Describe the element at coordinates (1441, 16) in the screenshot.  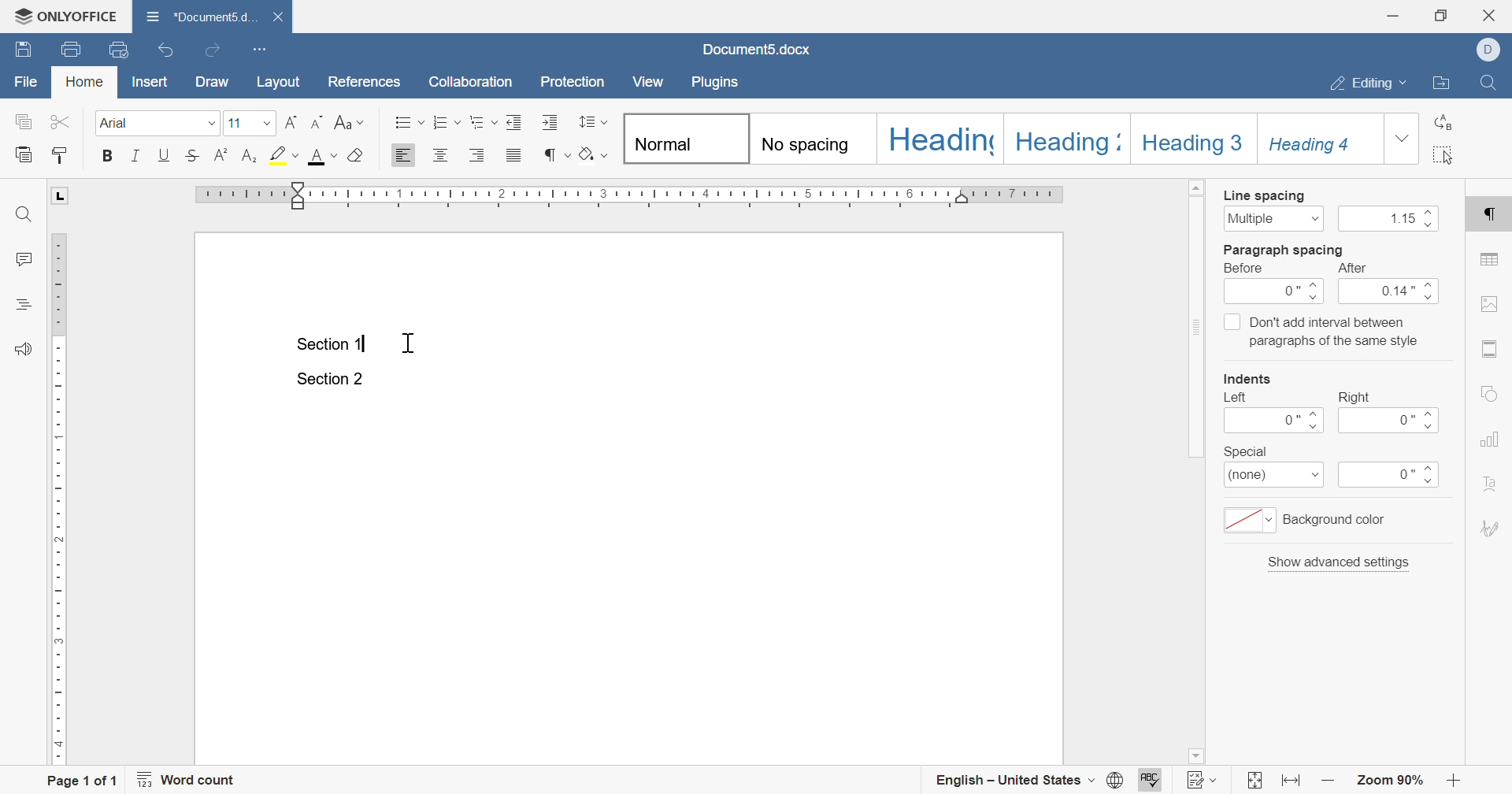
I see `restore down` at that location.